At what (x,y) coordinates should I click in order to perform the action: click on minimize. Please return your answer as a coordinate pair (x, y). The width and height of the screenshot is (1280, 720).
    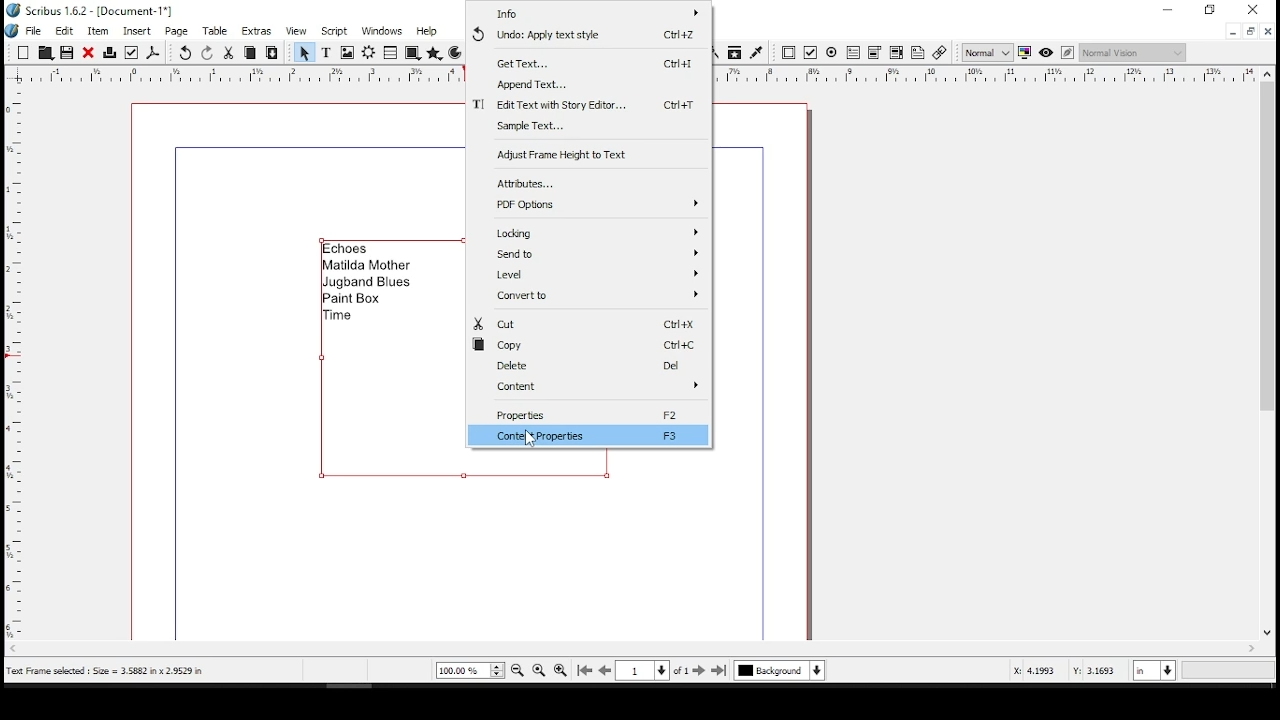
    Looking at the image, I should click on (1169, 10).